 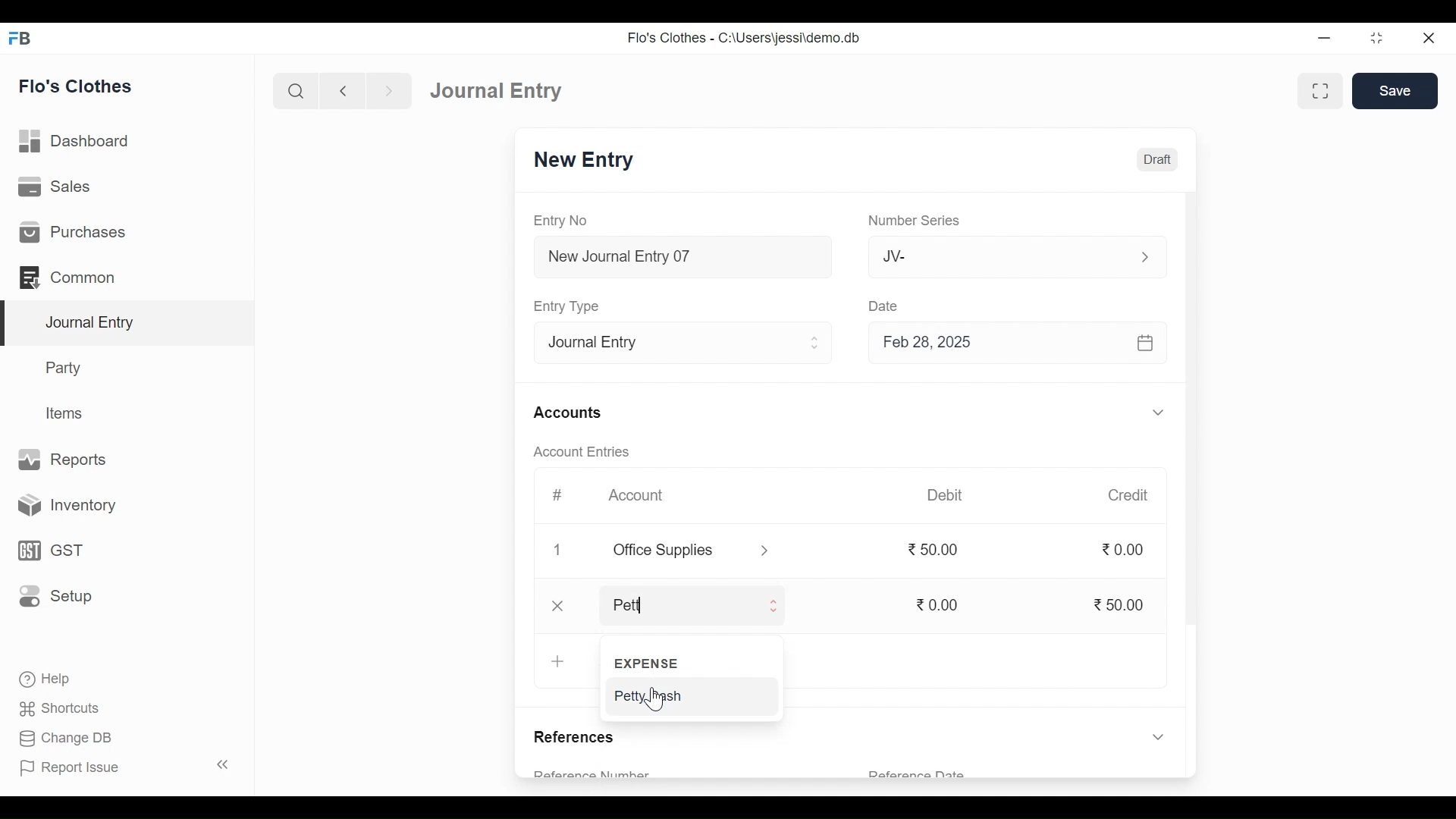 I want to click on Entry Type, so click(x=570, y=306).